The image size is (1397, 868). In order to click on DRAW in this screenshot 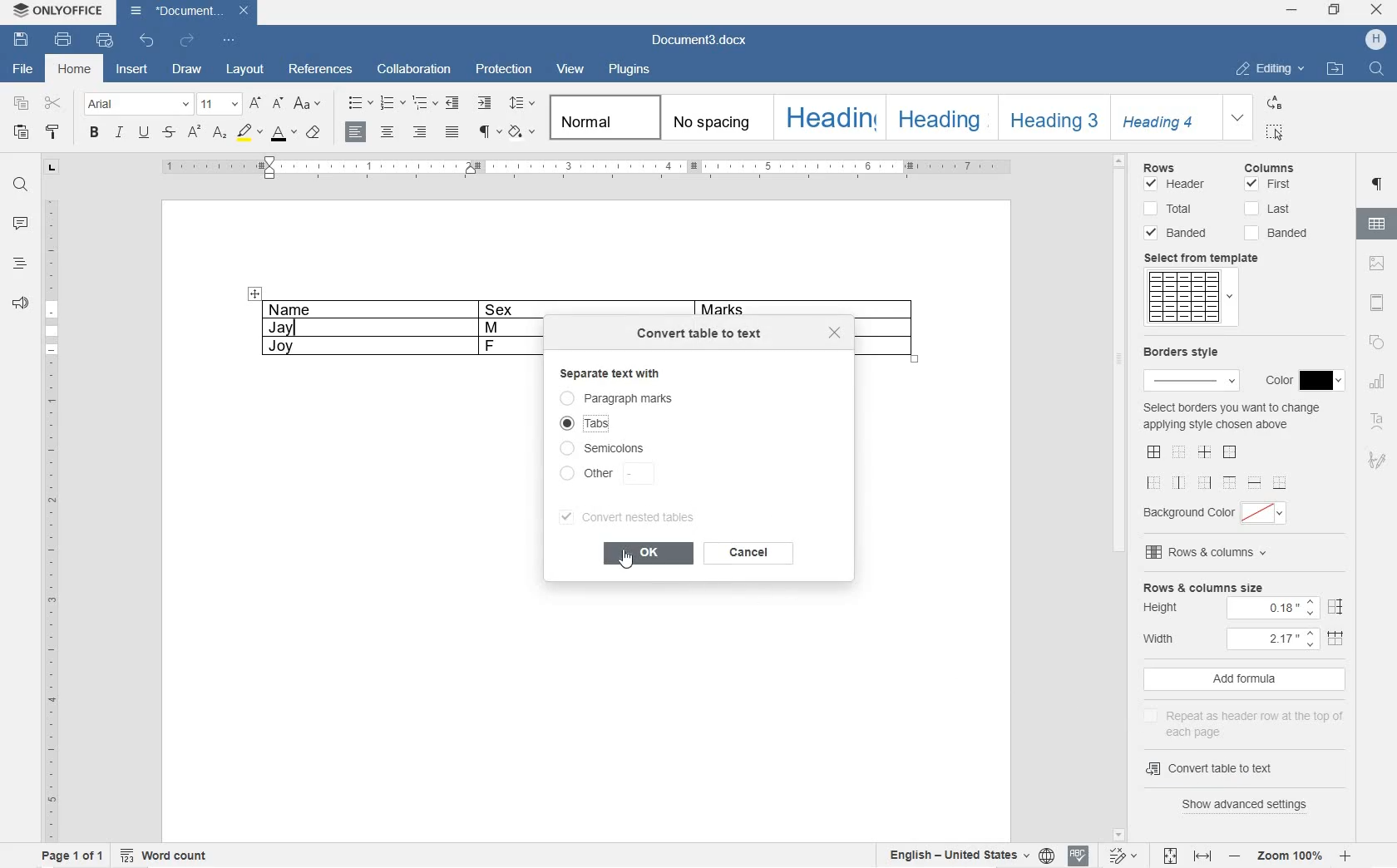, I will do `click(188, 70)`.